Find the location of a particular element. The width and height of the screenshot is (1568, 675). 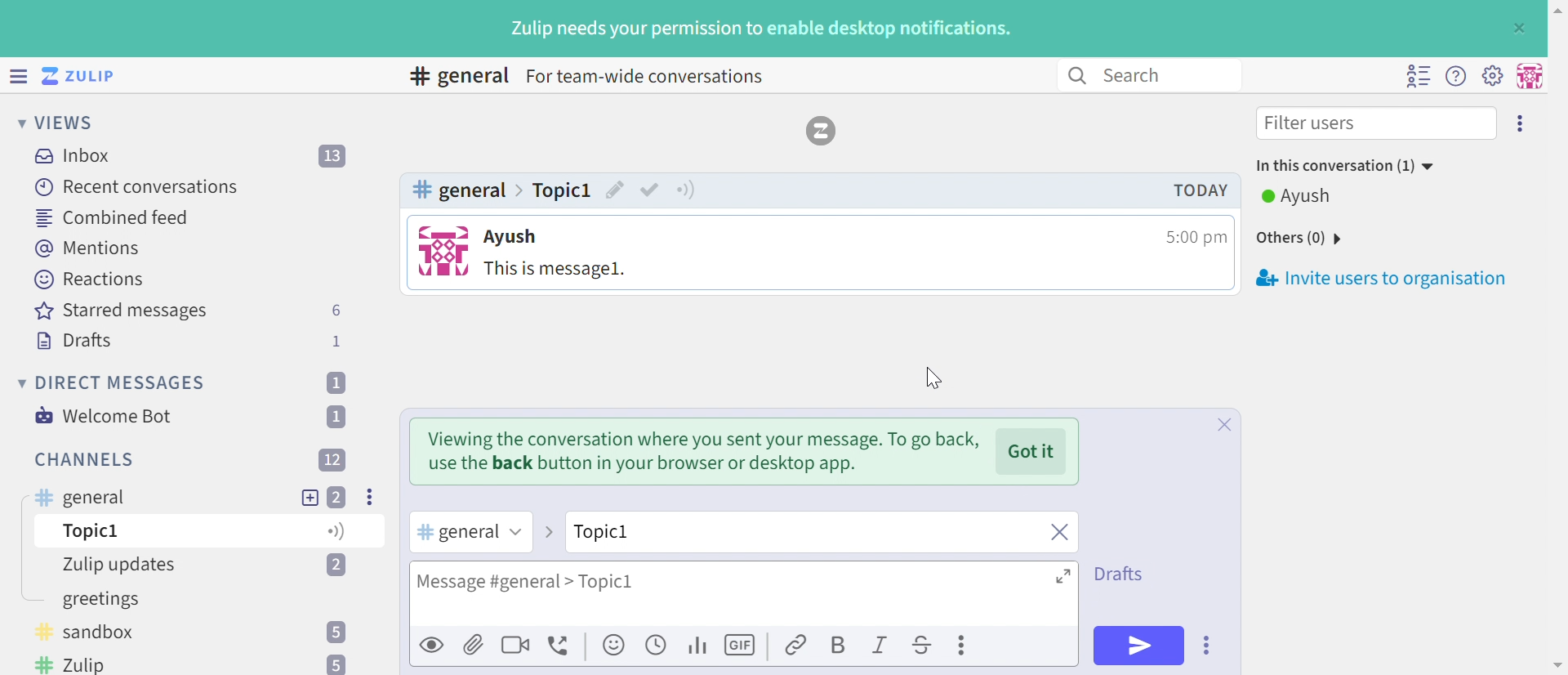

Strikethrough is located at coordinates (923, 647).